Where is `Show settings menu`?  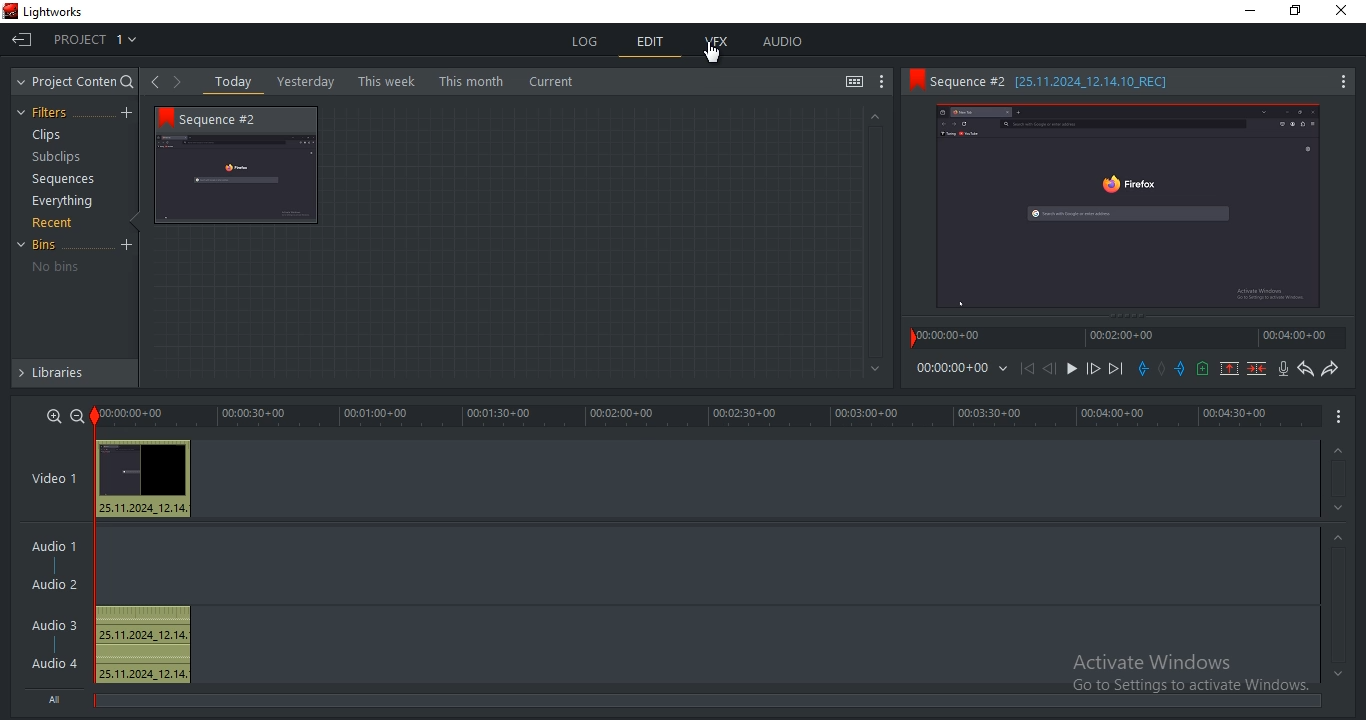
Show settings menu is located at coordinates (1337, 418).